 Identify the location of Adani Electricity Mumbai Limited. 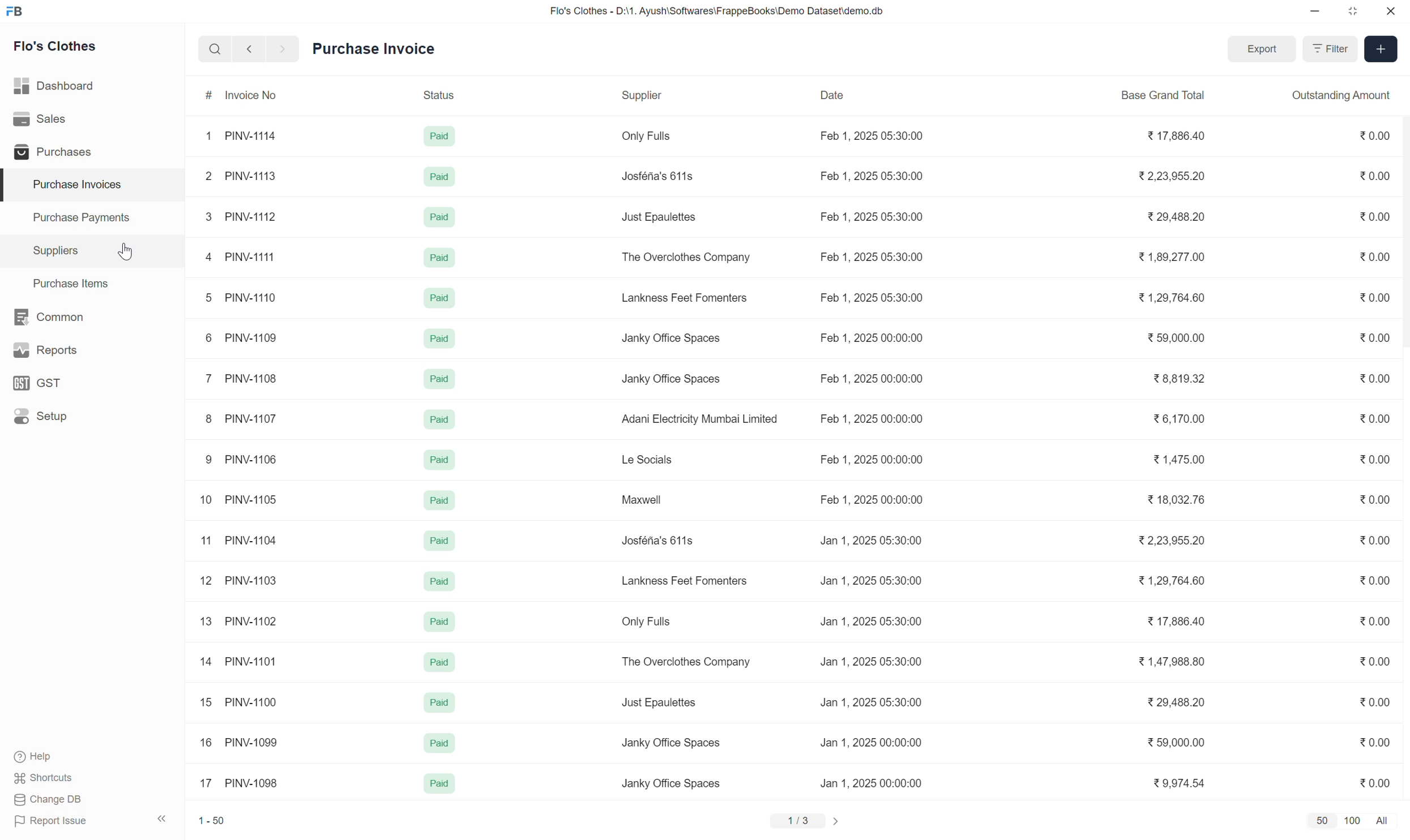
(700, 419).